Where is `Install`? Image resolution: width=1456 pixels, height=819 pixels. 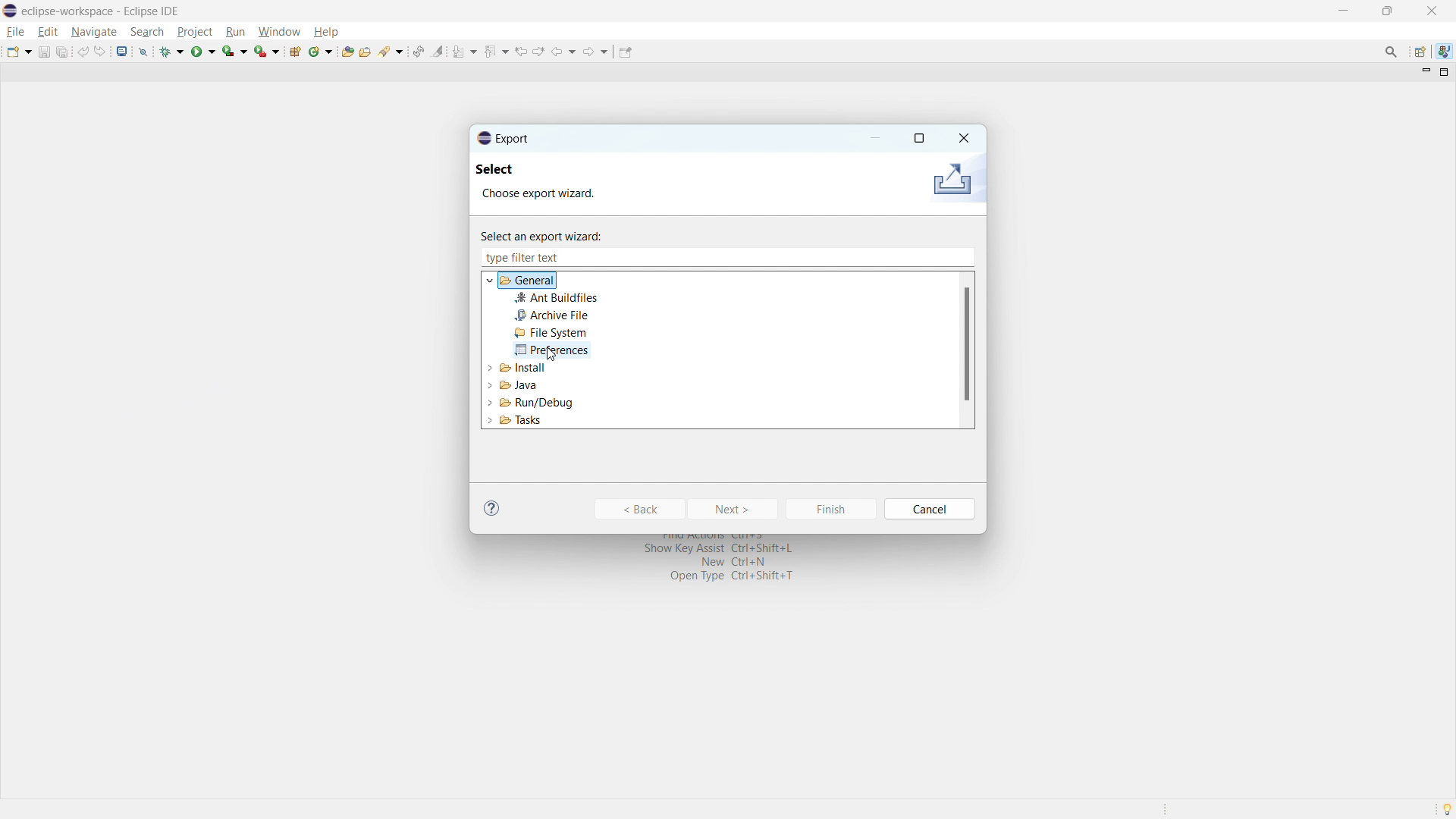
Install is located at coordinates (521, 369).